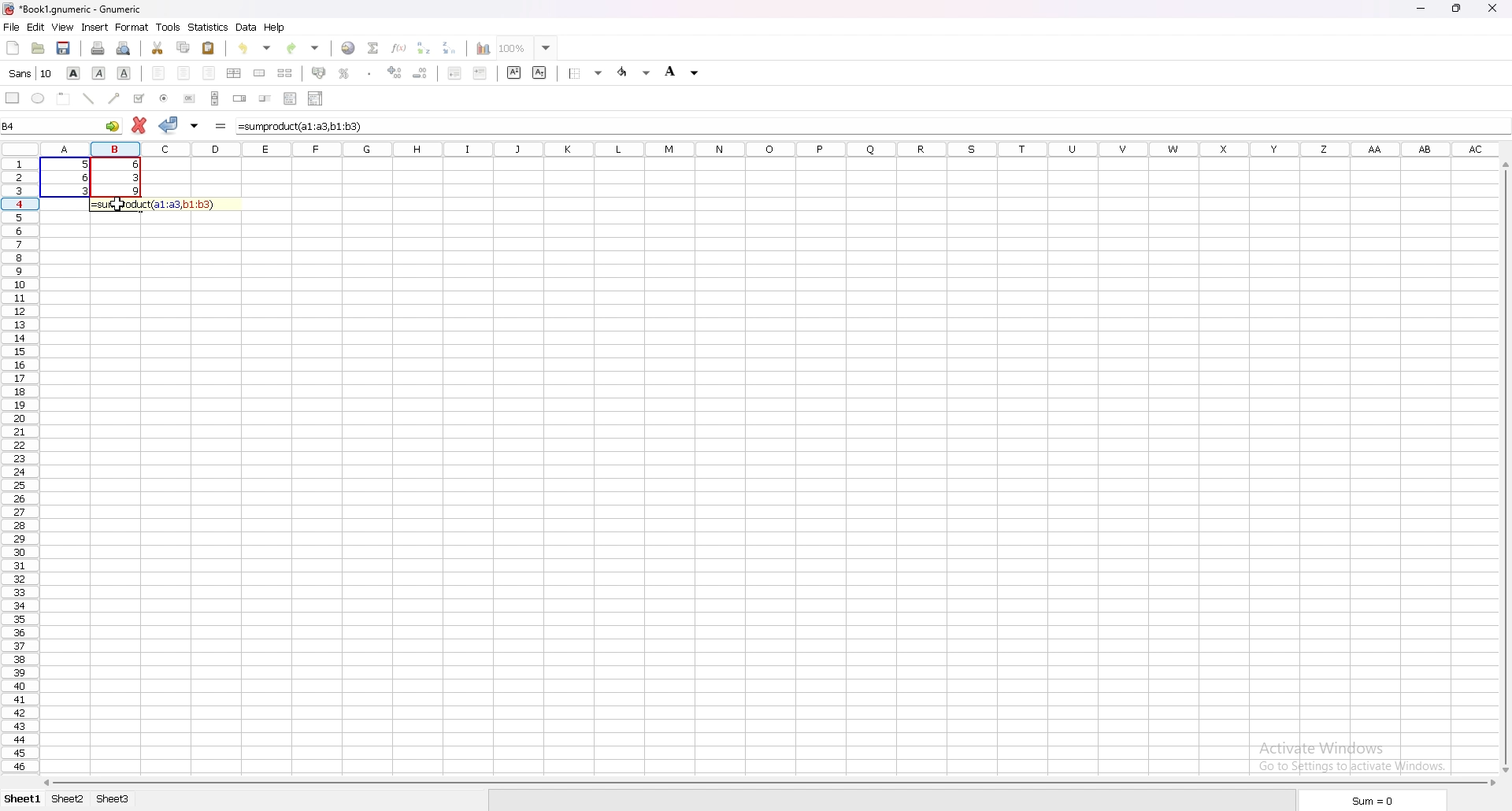  Describe the element at coordinates (480, 73) in the screenshot. I see `increase indent` at that location.